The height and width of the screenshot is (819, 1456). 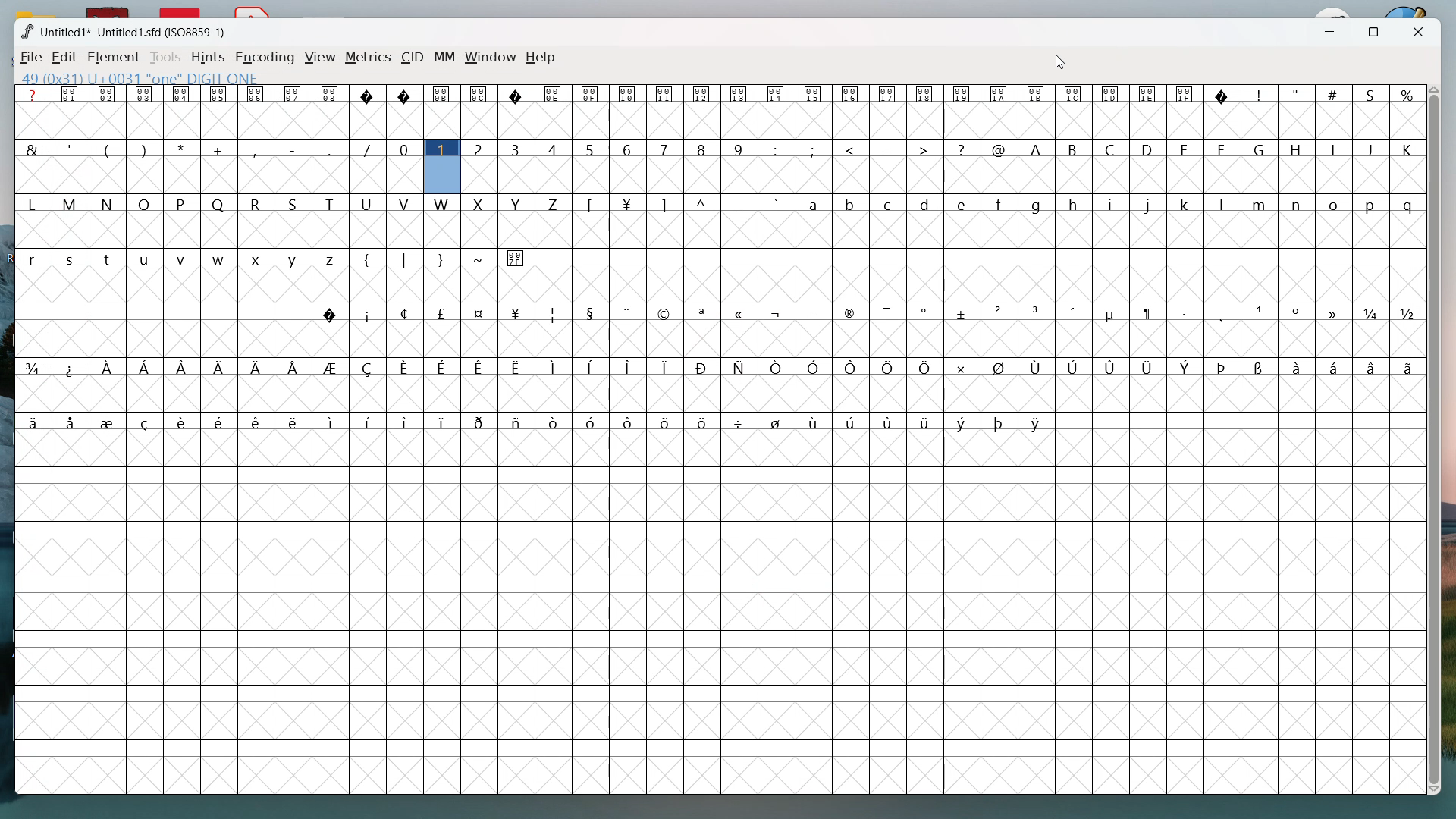 I want to click on symbol, so click(x=631, y=366).